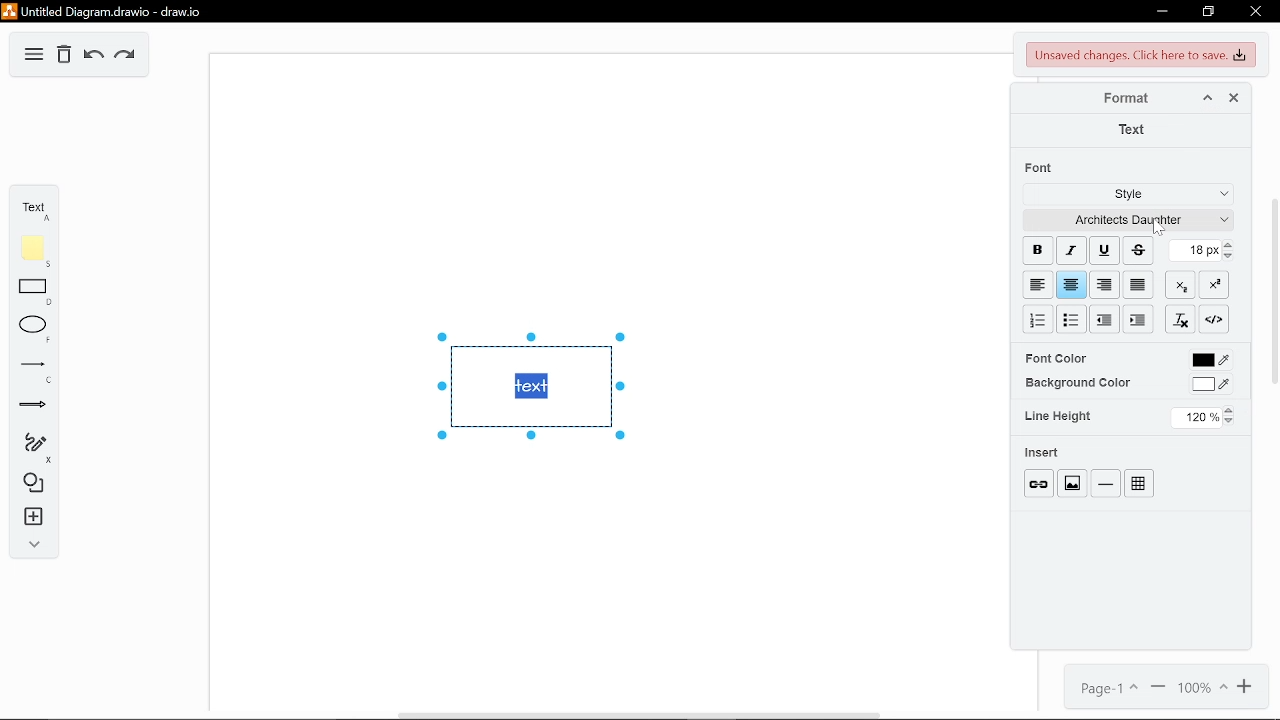 The image size is (1280, 720). Describe the element at coordinates (1140, 286) in the screenshot. I see `justified` at that location.